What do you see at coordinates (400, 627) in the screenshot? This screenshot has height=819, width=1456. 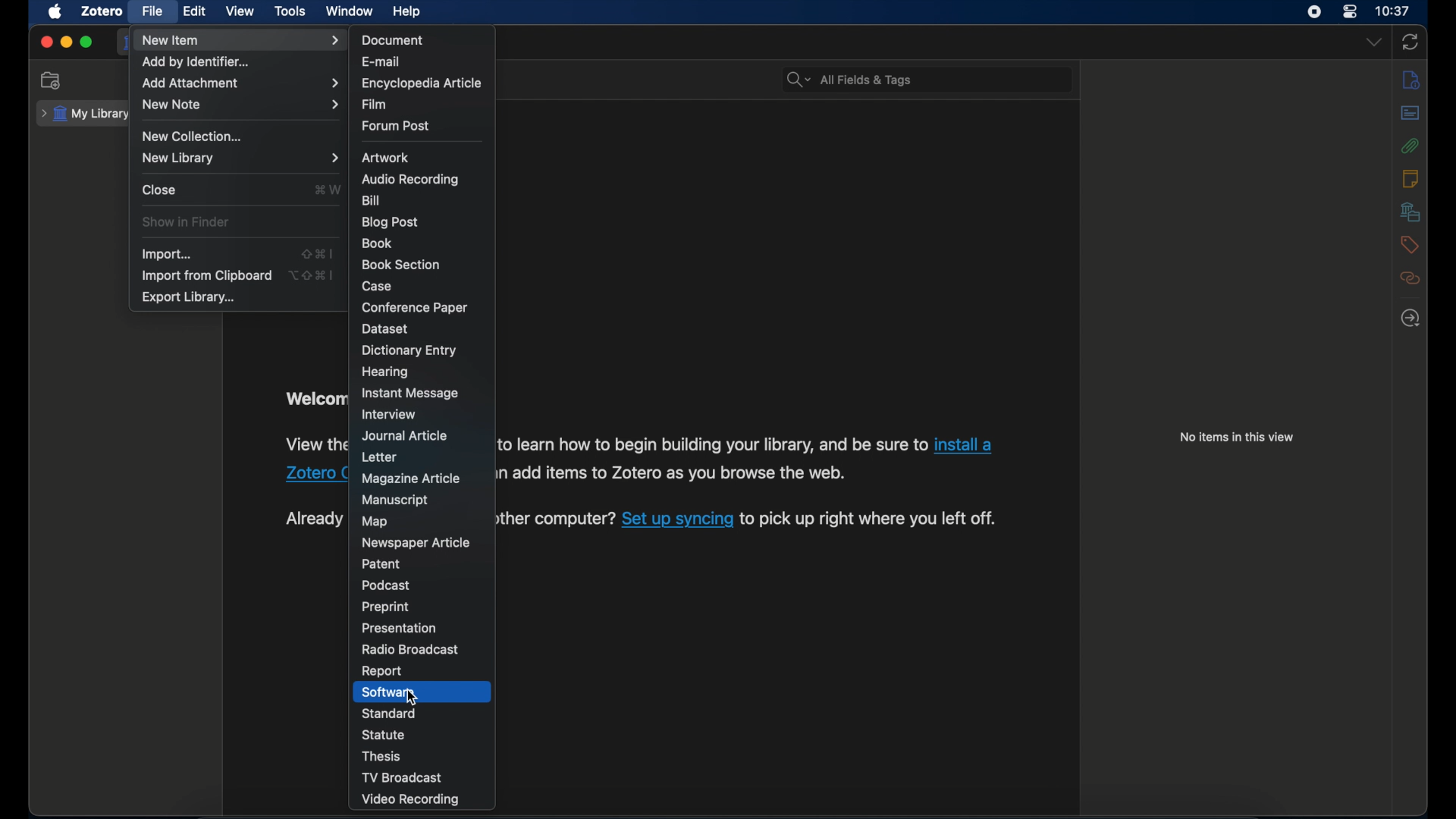 I see `presentation` at bounding box center [400, 627].